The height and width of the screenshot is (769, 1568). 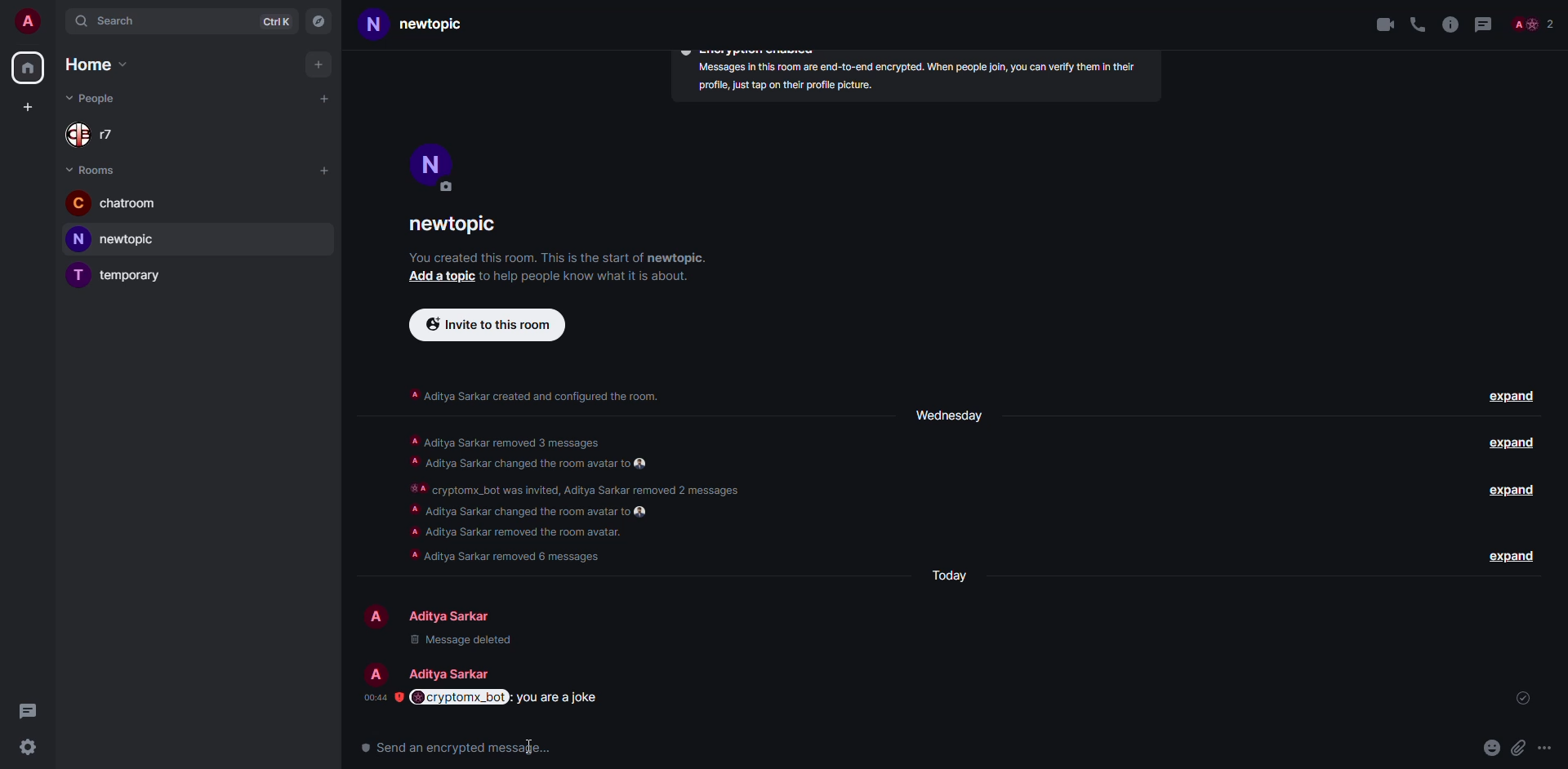 What do you see at coordinates (433, 278) in the screenshot?
I see `add` at bounding box center [433, 278].